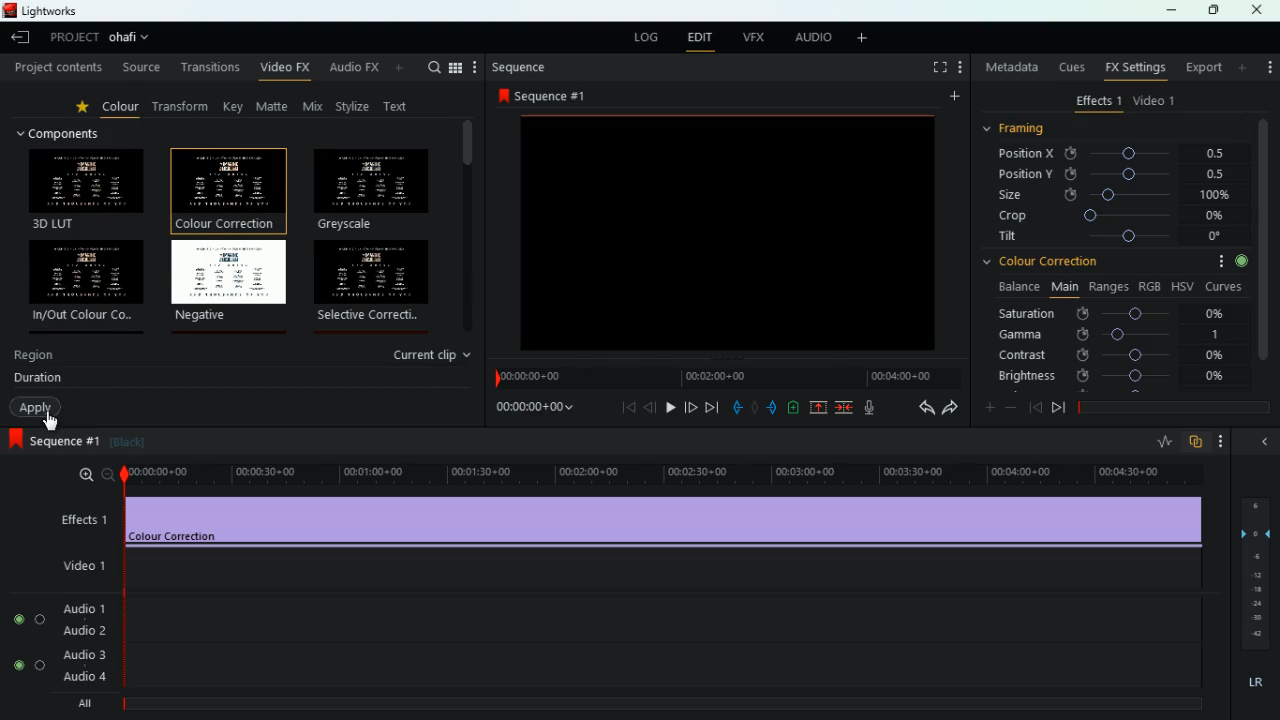 The height and width of the screenshot is (720, 1280). Describe the element at coordinates (370, 190) in the screenshot. I see `greyscale` at that location.